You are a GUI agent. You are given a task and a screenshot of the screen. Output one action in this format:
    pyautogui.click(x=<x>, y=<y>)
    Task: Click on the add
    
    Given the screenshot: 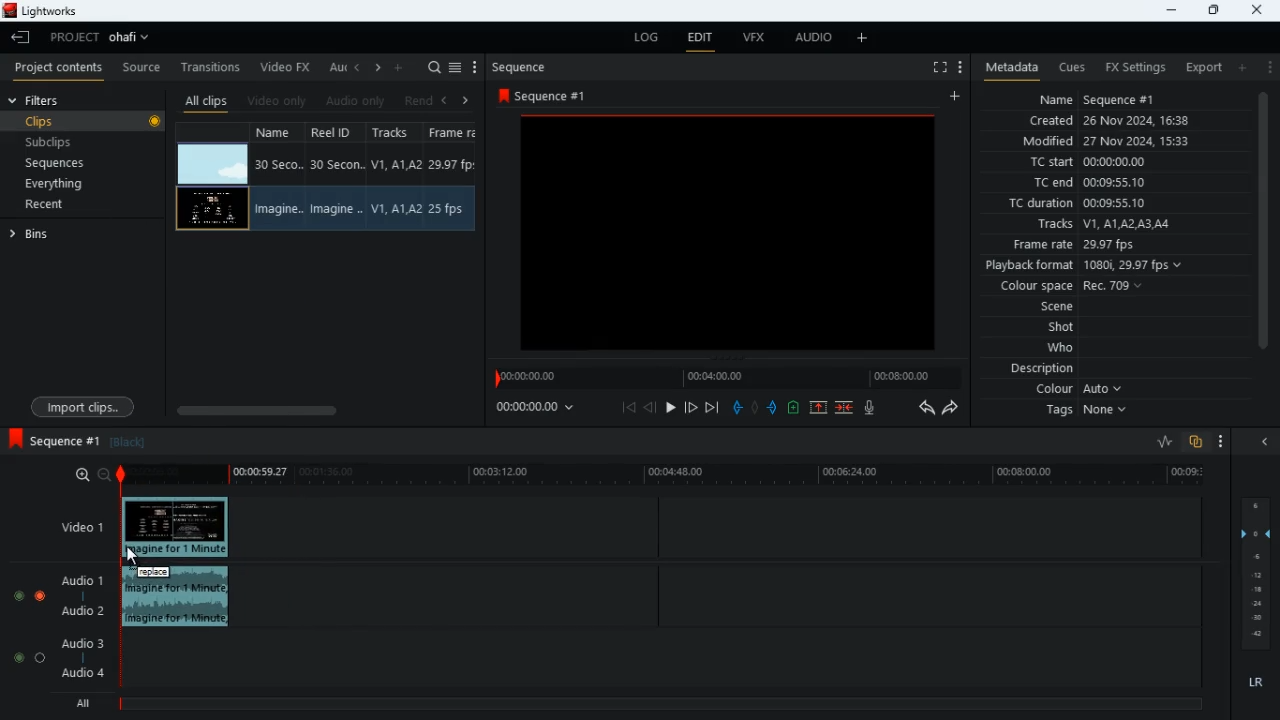 What is the action you would take?
    pyautogui.click(x=402, y=67)
    